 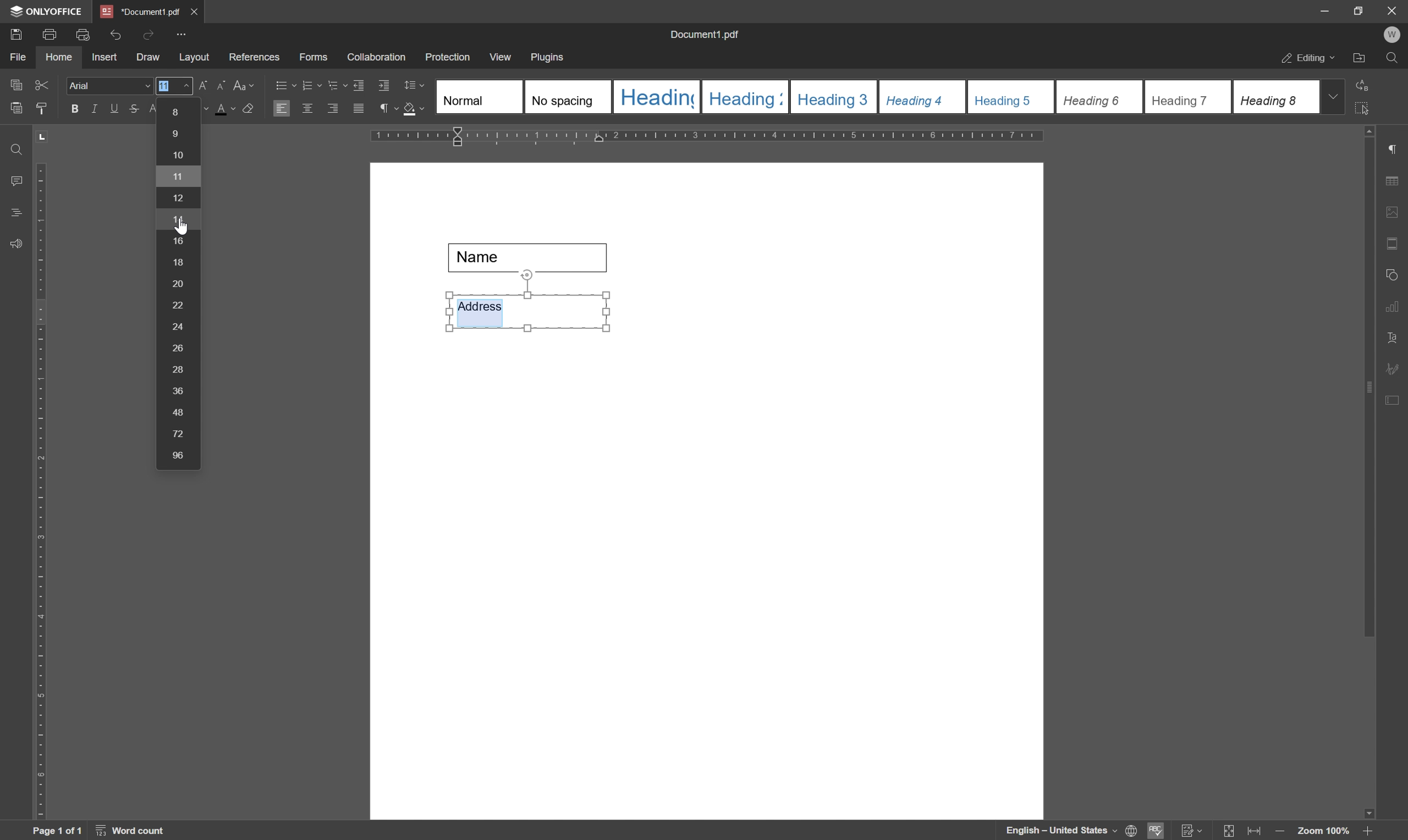 What do you see at coordinates (307, 108) in the screenshot?
I see `Align center` at bounding box center [307, 108].